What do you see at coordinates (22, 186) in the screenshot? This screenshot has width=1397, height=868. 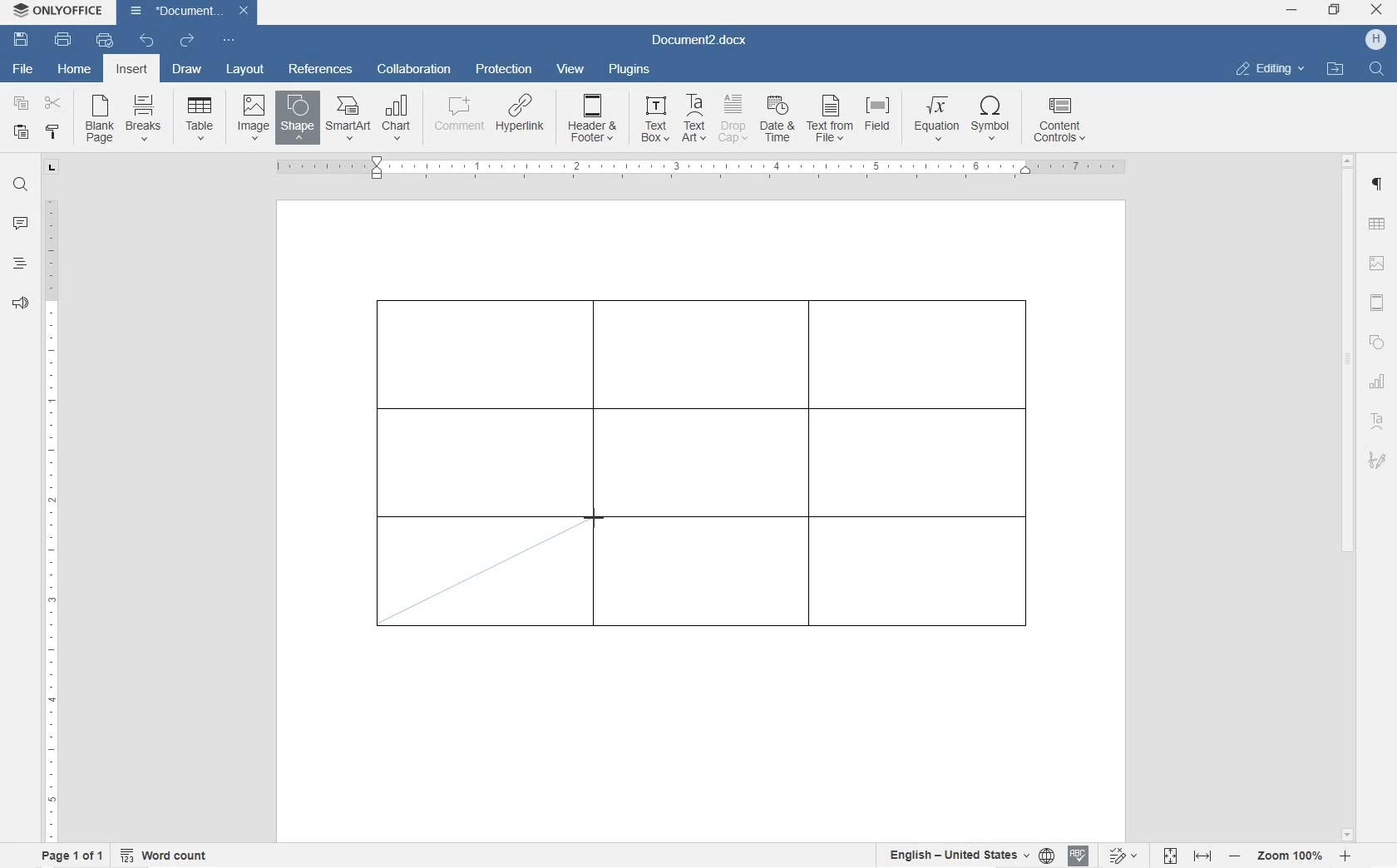 I see `find` at bounding box center [22, 186].